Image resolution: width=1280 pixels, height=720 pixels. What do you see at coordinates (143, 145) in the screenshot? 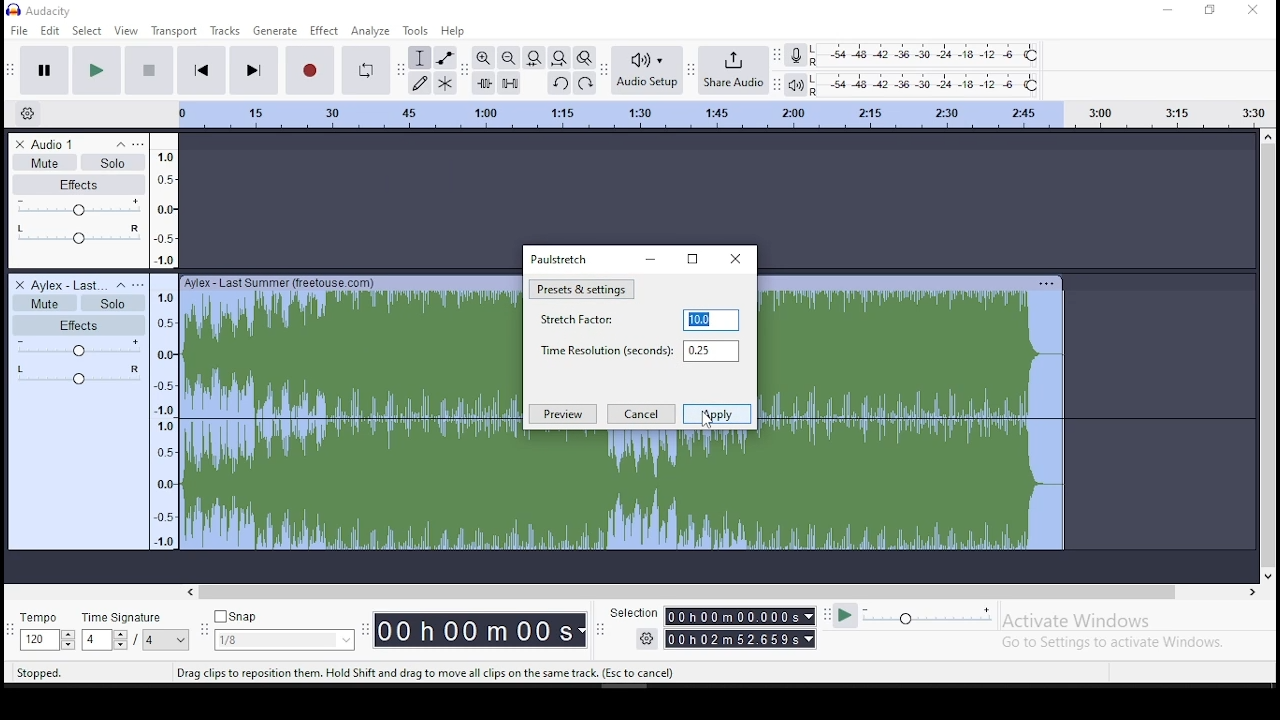
I see `open menu` at bounding box center [143, 145].